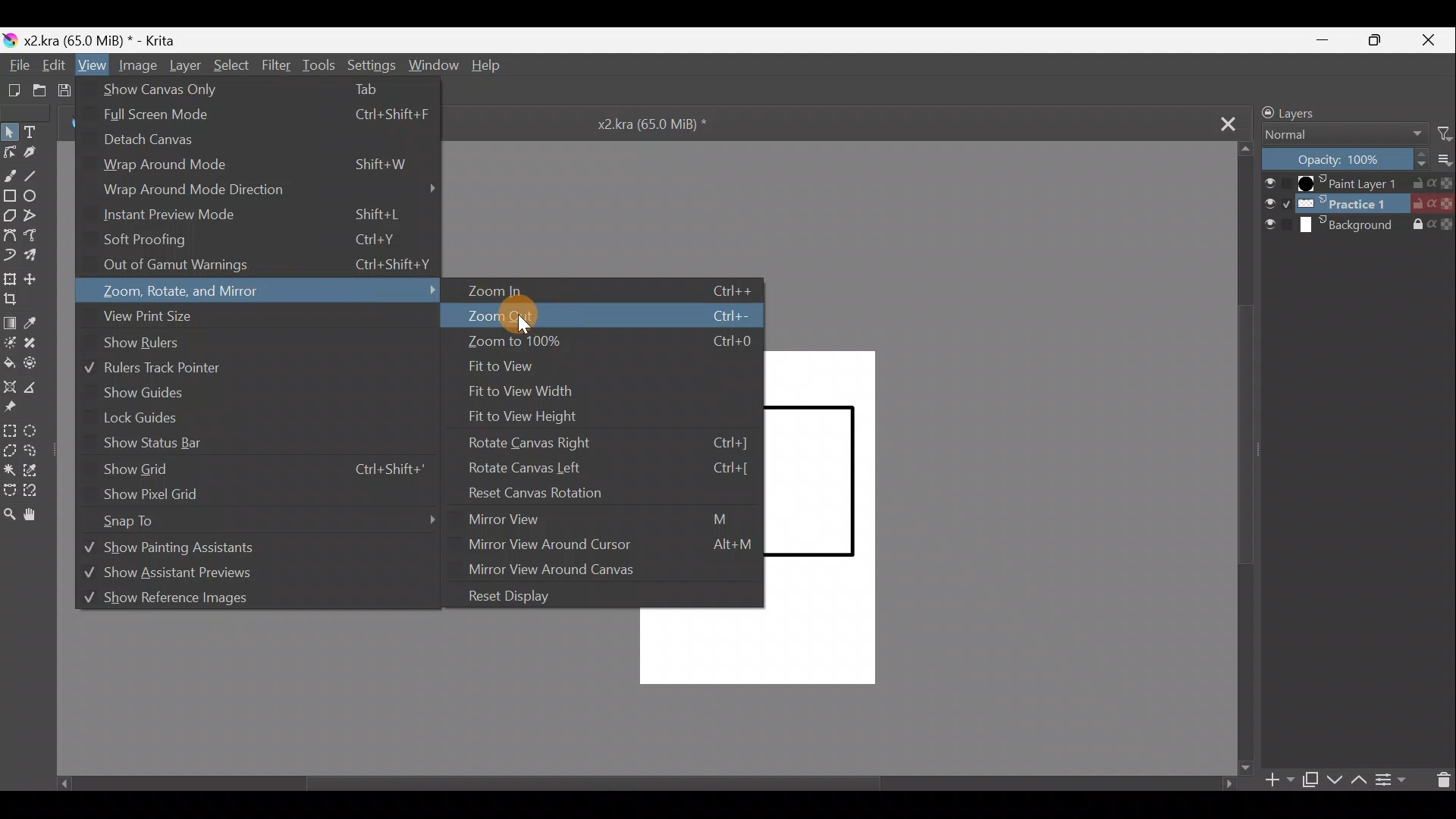 The image size is (1456, 819). What do you see at coordinates (432, 64) in the screenshot?
I see `Window` at bounding box center [432, 64].